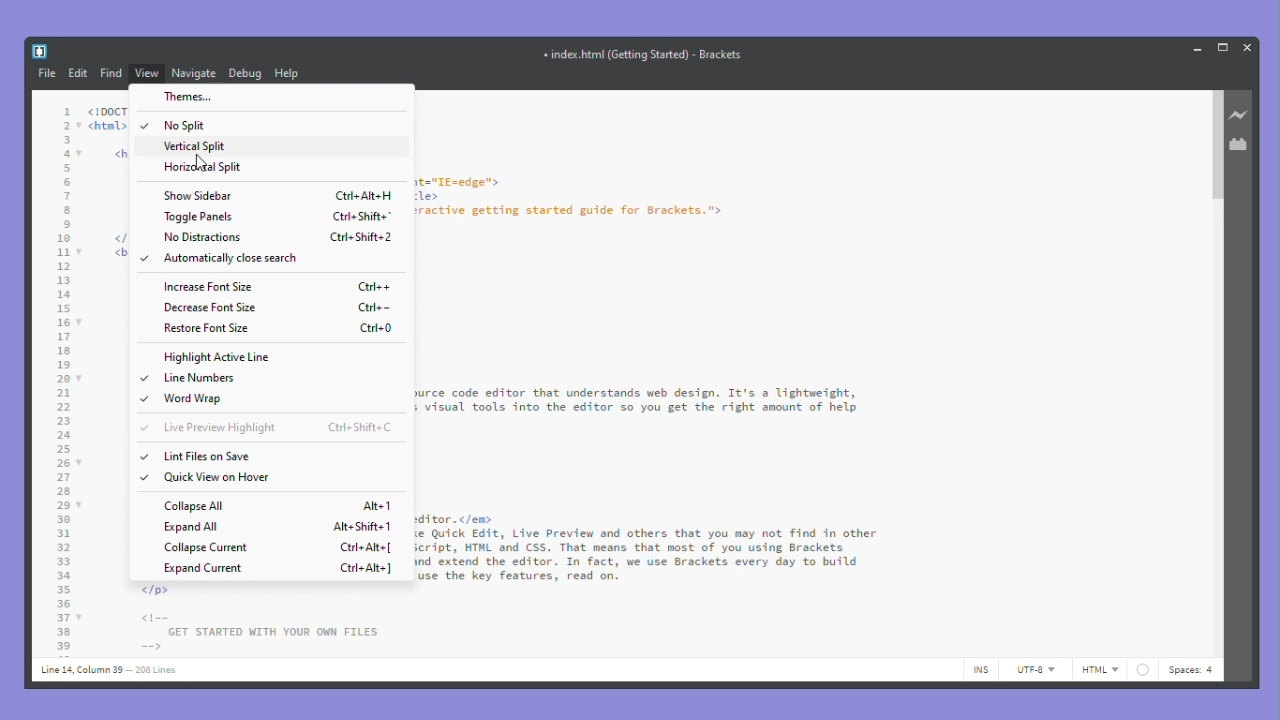  I want to click on Highlight active line, so click(218, 358).